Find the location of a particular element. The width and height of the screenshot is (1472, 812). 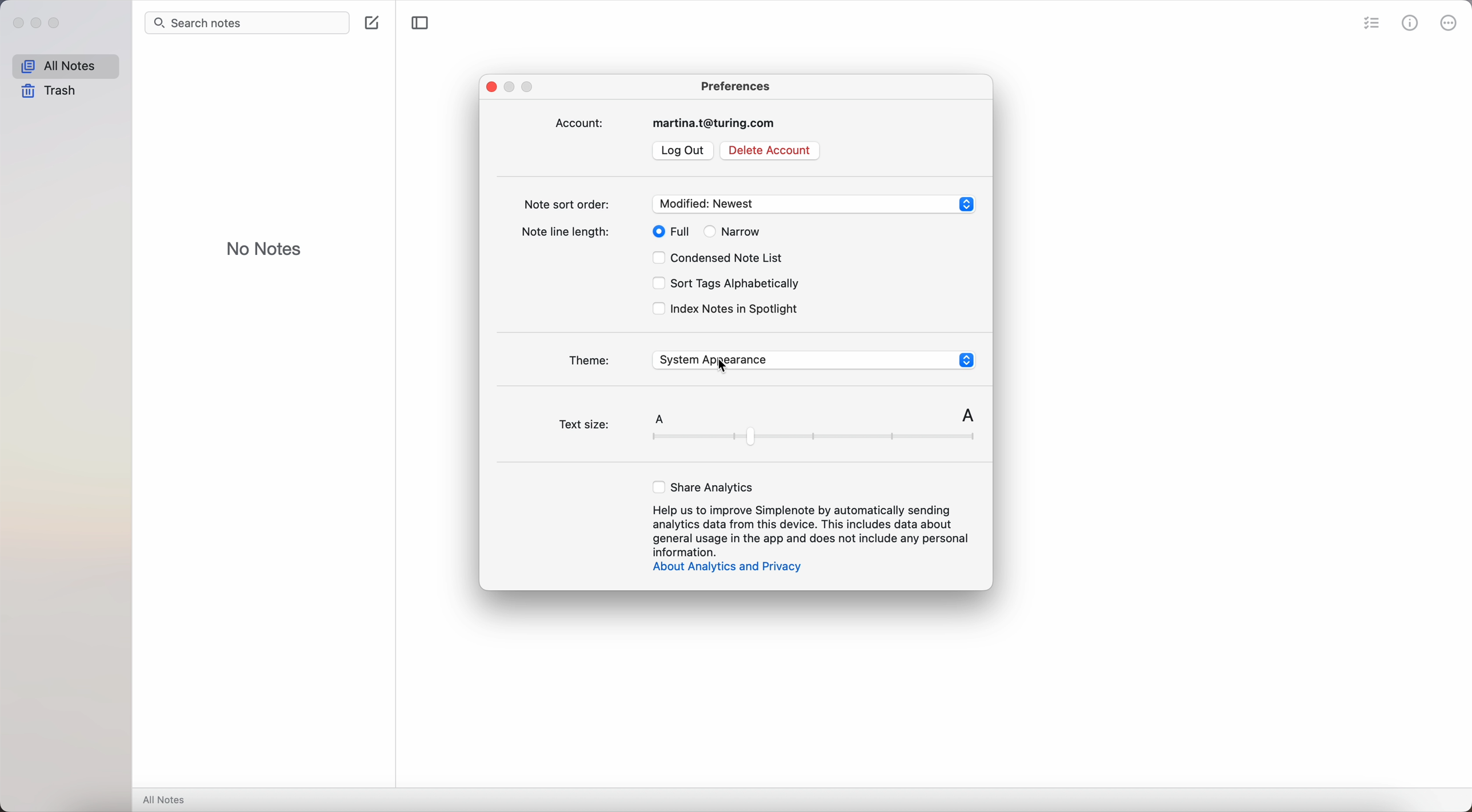

Help us to improve Simplenote by automatically sending analytics data from this device... is located at coordinates (811, 530).